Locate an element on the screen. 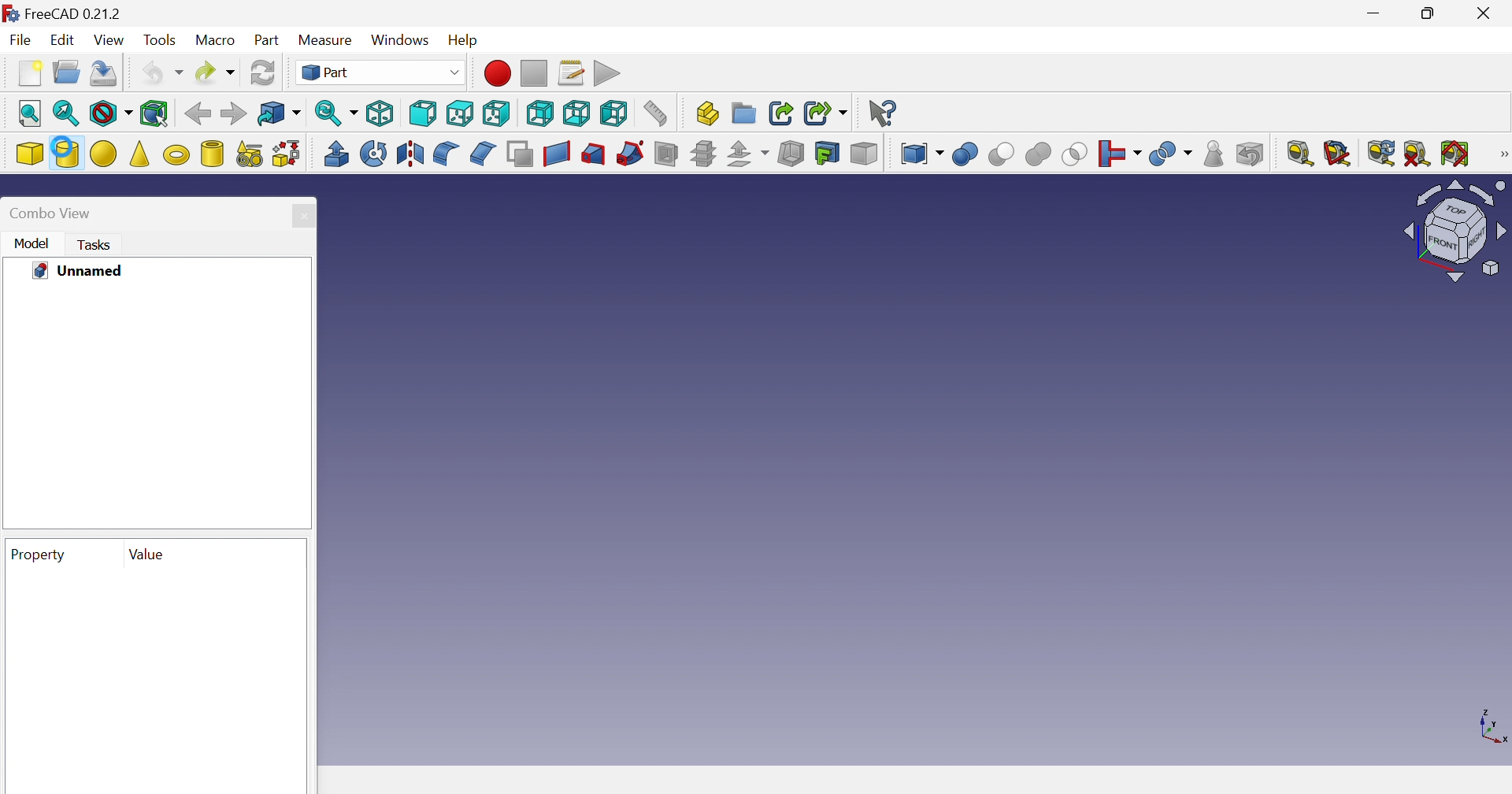 This screenshot has height=794, width=1512. Cube is located at coordinates (28, 152).